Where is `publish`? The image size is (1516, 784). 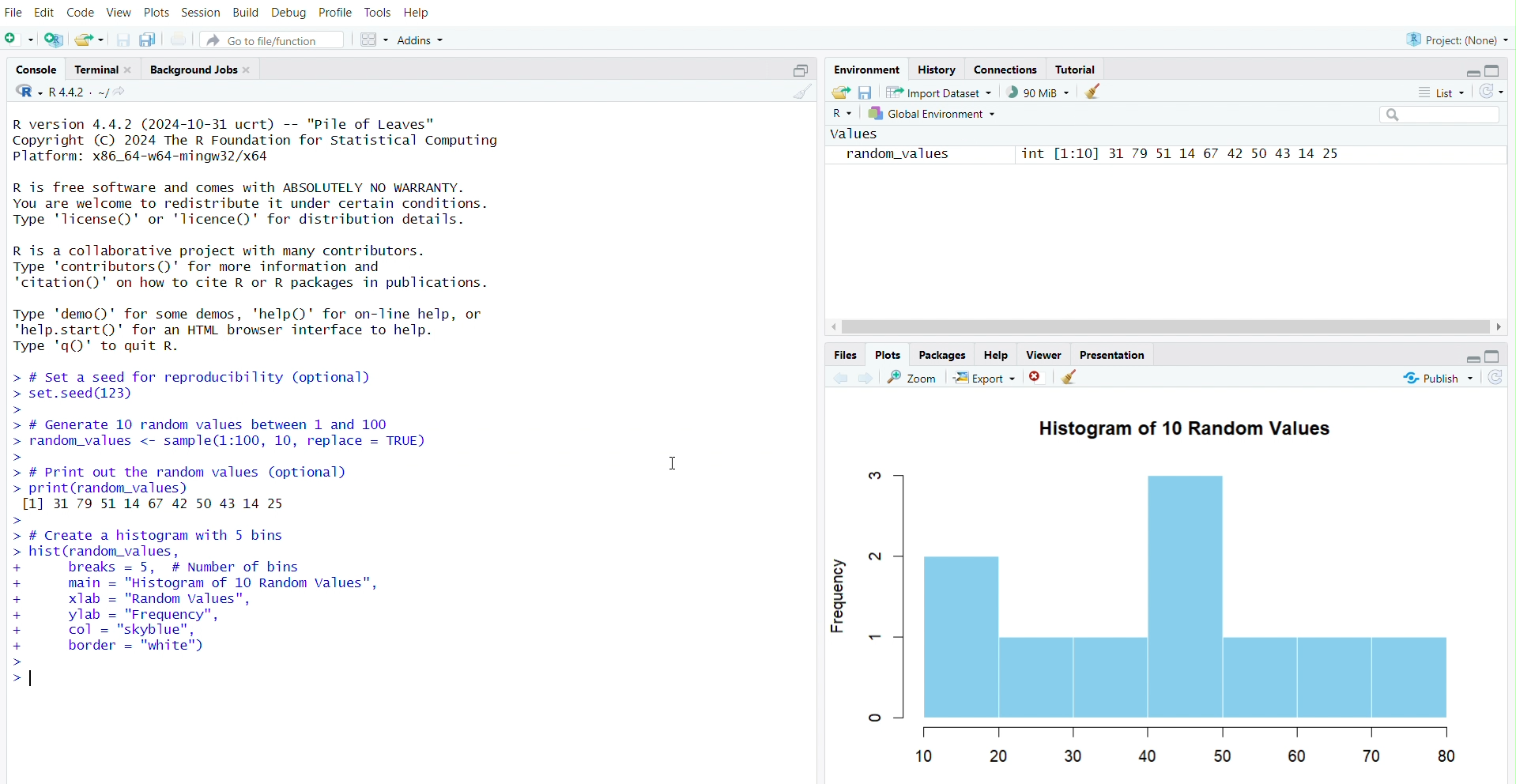
publish is located at coordinates (1439, 379).